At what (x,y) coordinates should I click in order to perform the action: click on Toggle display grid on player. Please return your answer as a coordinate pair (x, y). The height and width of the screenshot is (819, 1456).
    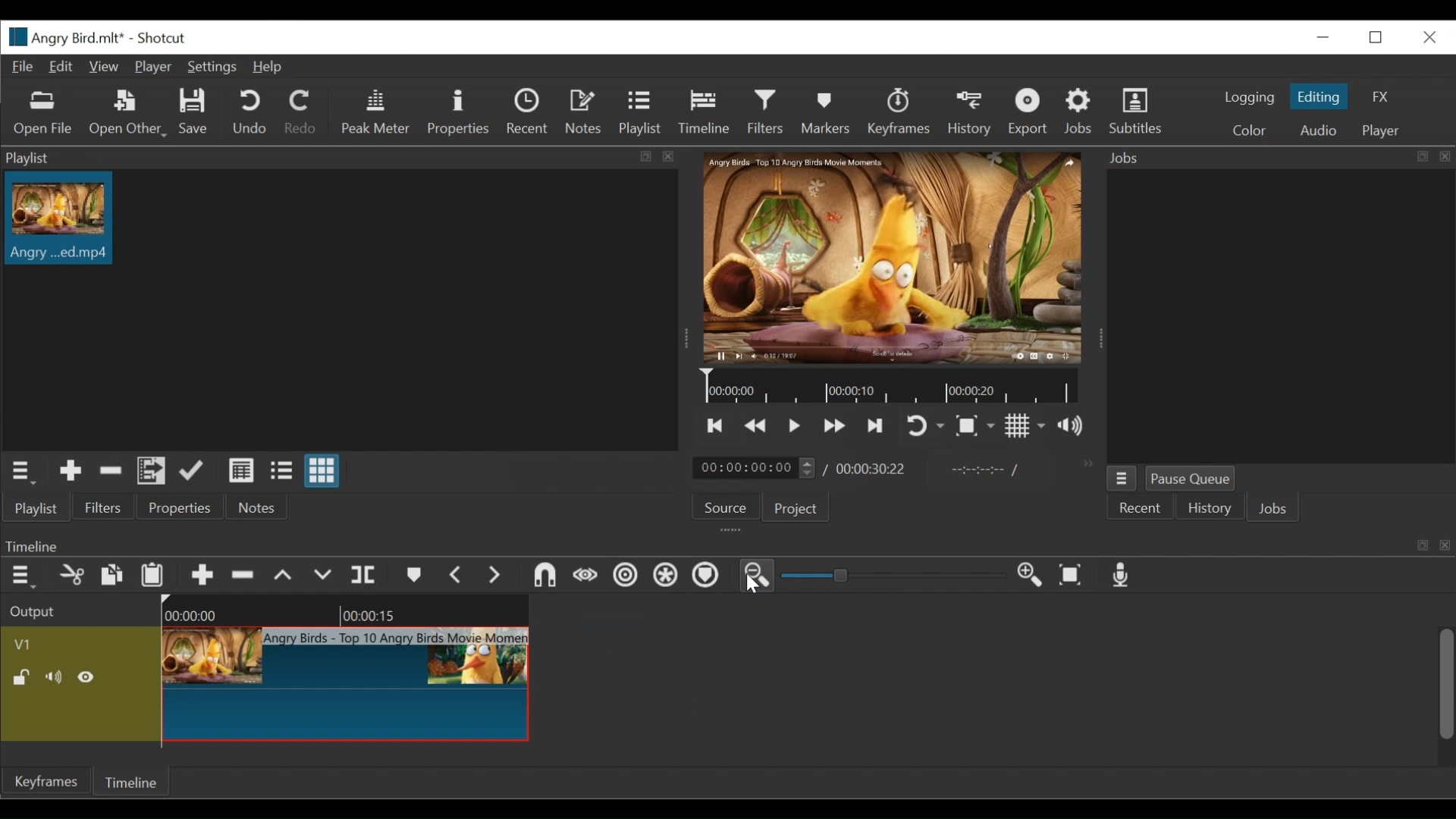
    Looking at the image, I should click on (1026, 425).